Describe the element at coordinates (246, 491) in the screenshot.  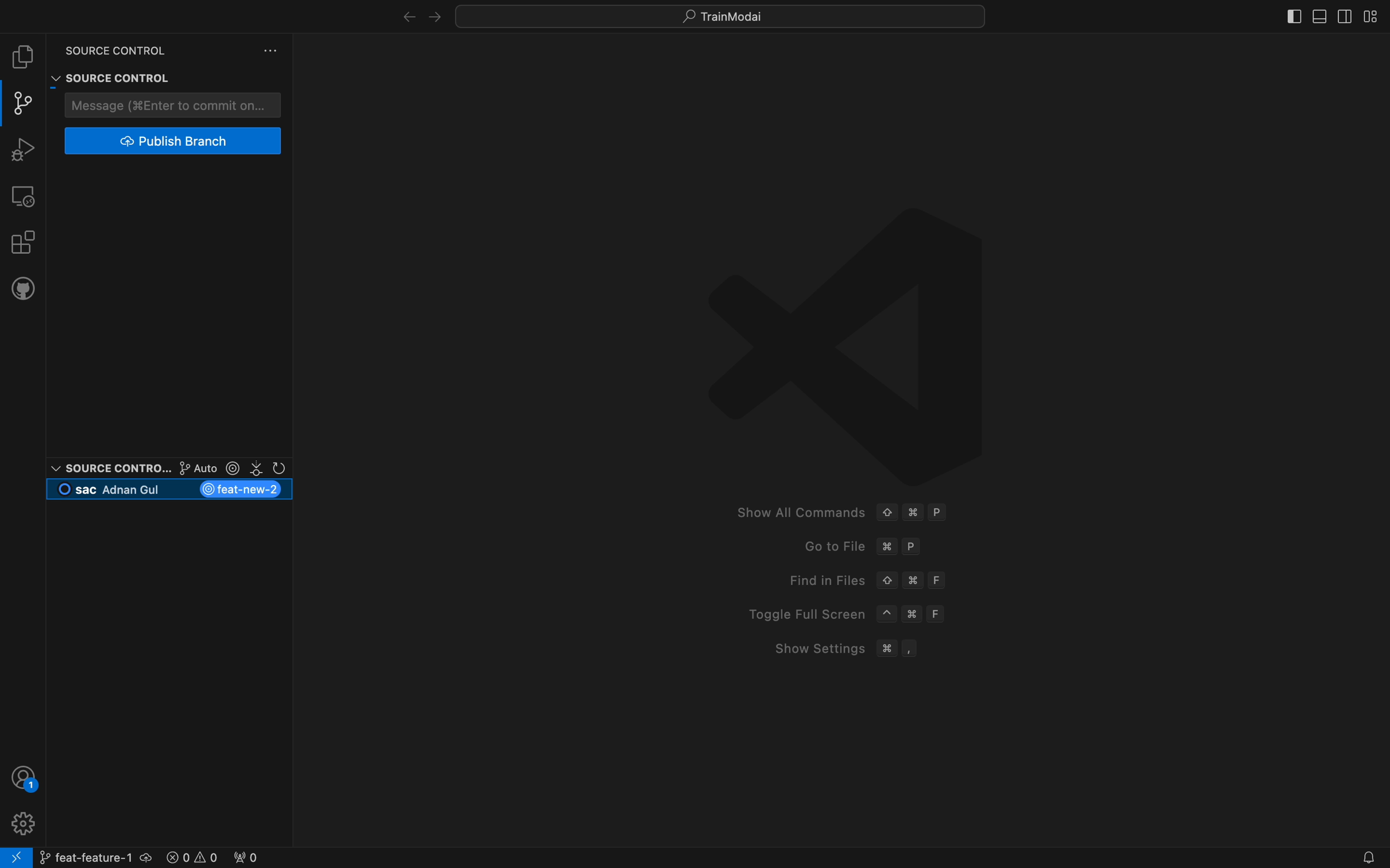
I see `new branch created and switched ` at that location.